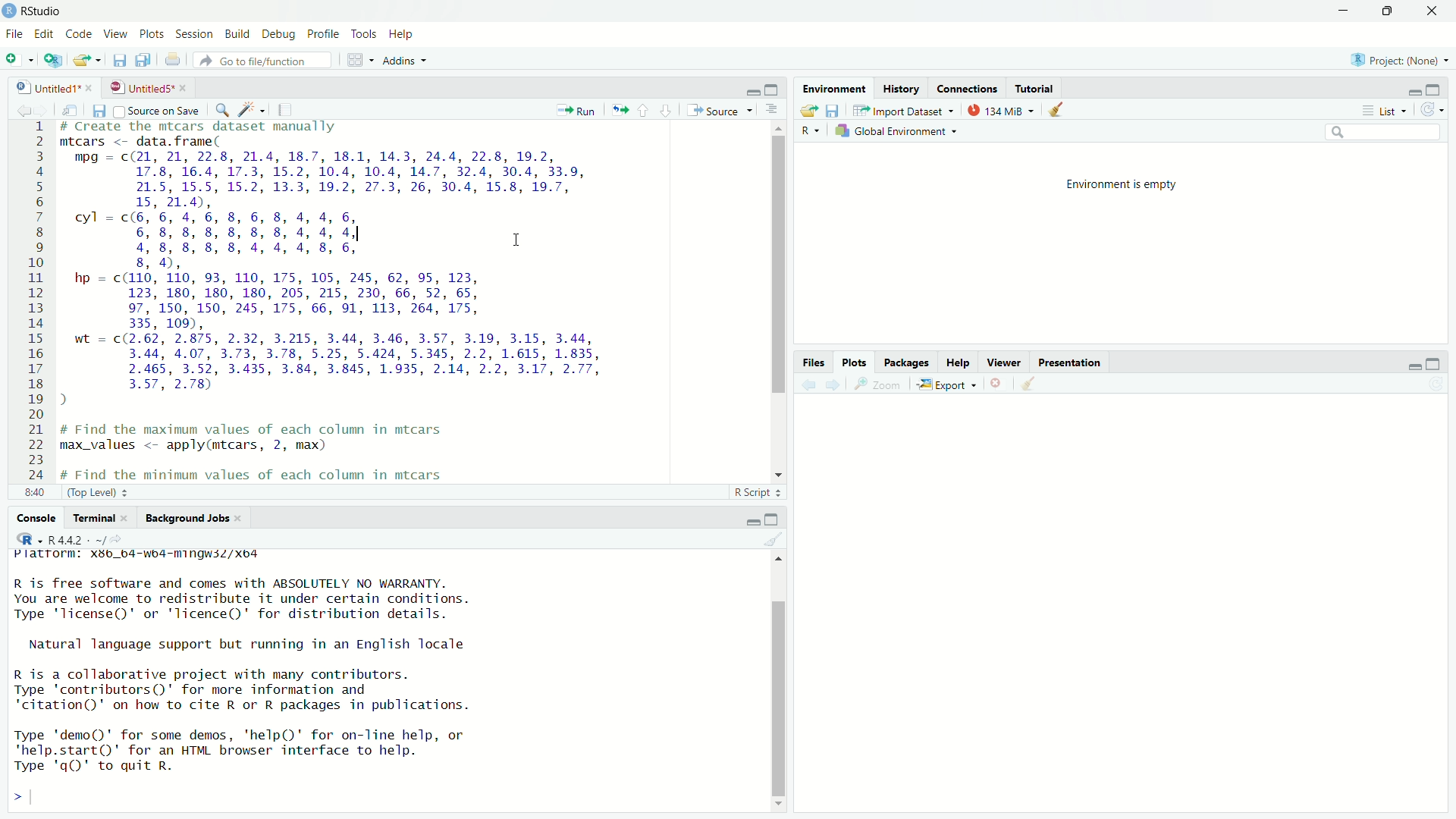  Describe the element at coordinates (36, 10) in the screenshot. I see `) RStudio` at that location.